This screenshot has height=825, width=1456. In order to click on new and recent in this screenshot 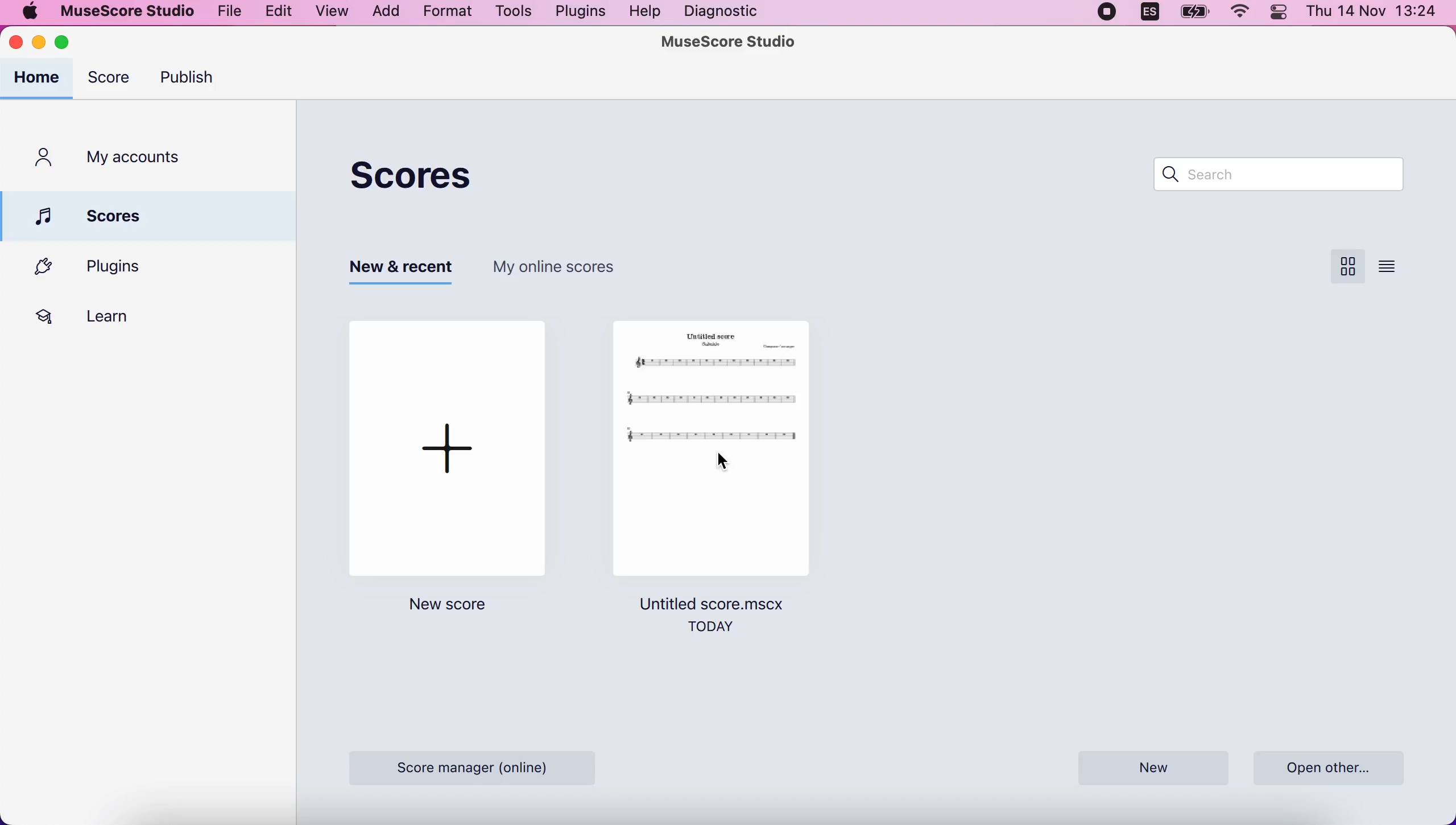, I will do `click(397, 271)`.